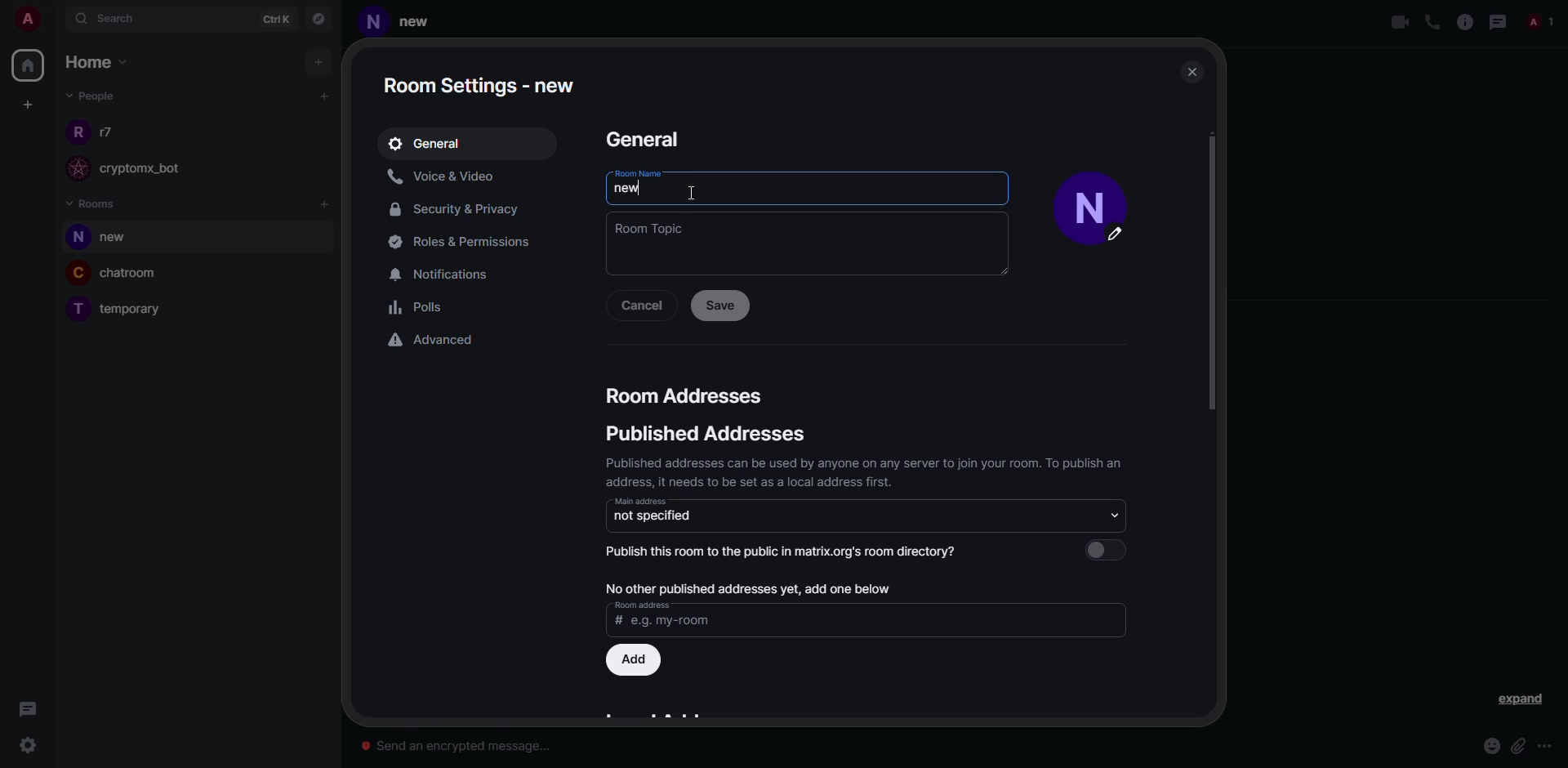 The image size is (1568, 768). I want to click on profile image, so click(76, 131).